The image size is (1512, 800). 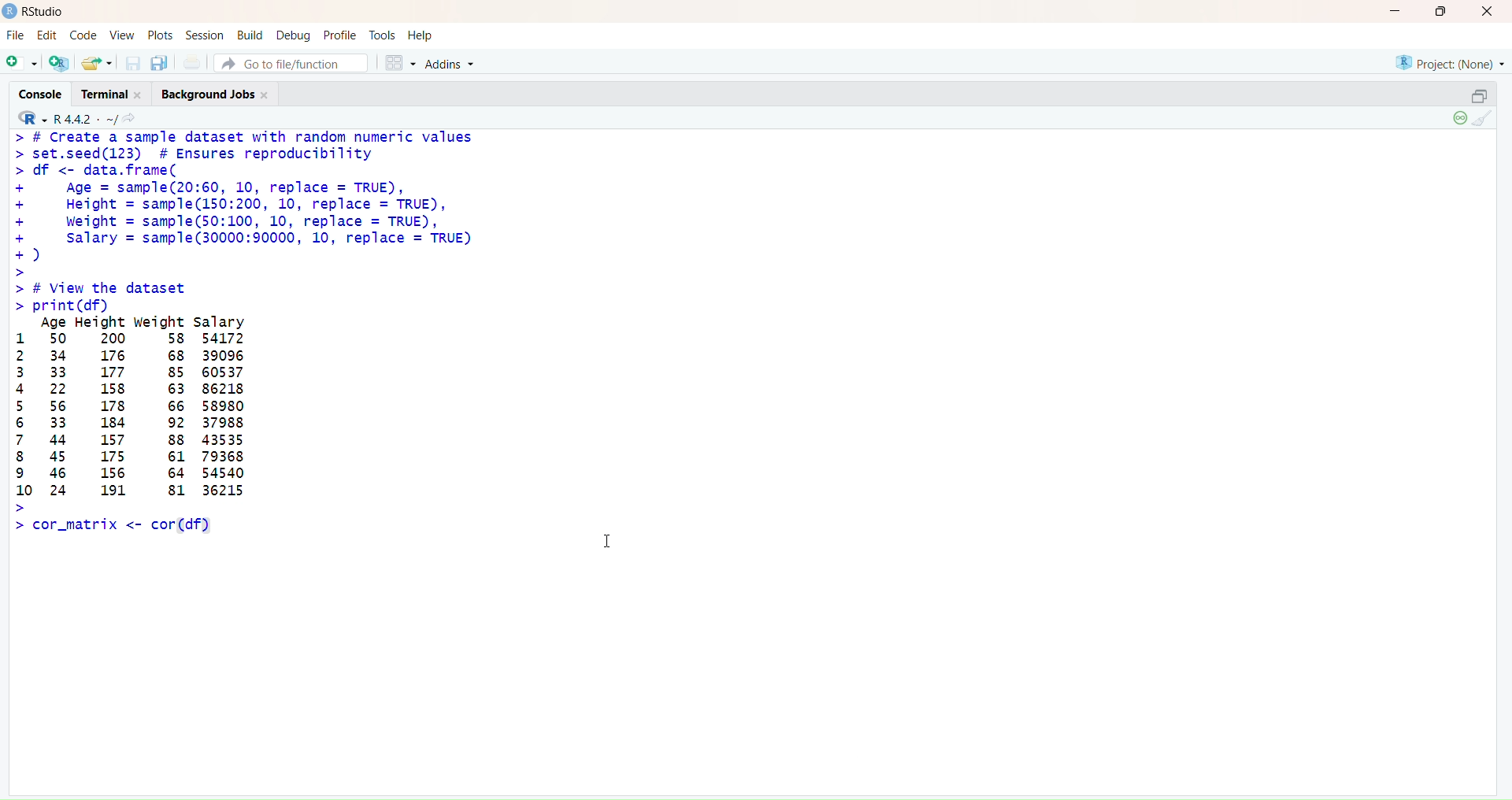 What do you see at coordinates (217, 95) in the screenshot?
I see `Background jobs` at bounding box center [217, 95].